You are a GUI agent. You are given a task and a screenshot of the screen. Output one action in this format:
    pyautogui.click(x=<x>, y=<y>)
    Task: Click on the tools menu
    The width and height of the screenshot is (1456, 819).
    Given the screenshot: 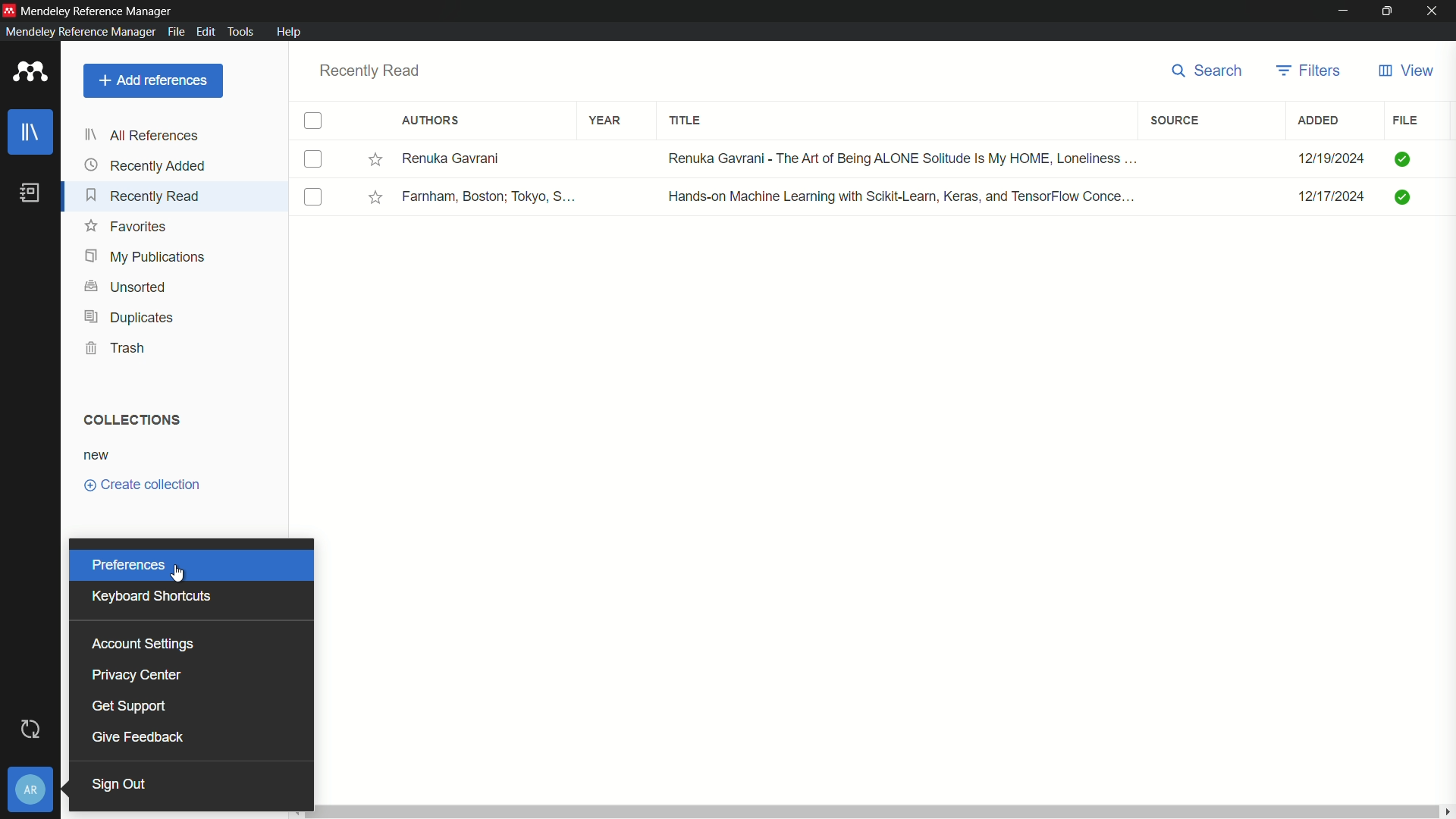 What is the action you would take?
    pyautogui.click(x=242, y=32)
    